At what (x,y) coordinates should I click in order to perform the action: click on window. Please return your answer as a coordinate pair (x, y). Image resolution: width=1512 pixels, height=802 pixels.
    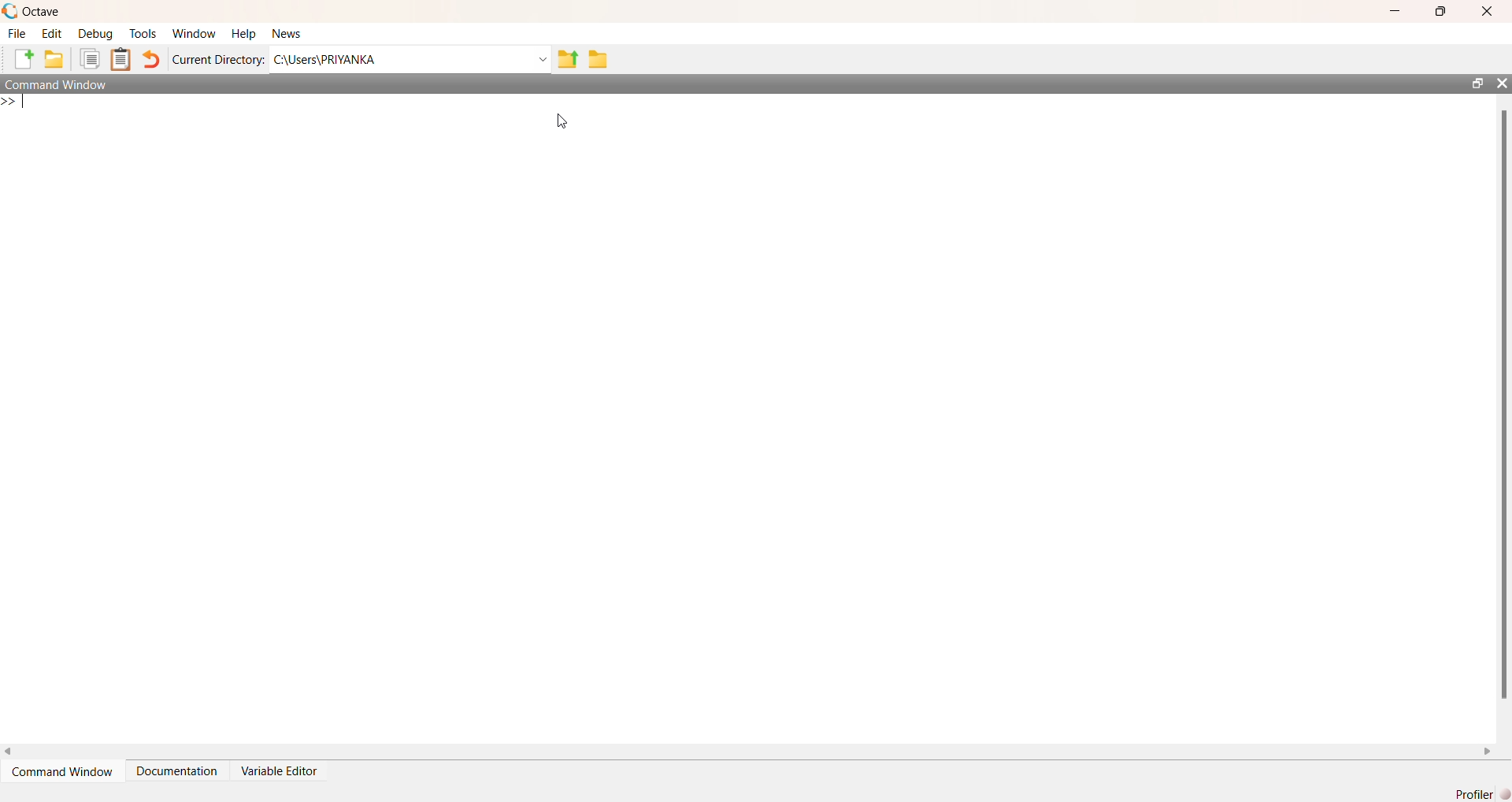
    Looking at the image, I should click on (194, 32).